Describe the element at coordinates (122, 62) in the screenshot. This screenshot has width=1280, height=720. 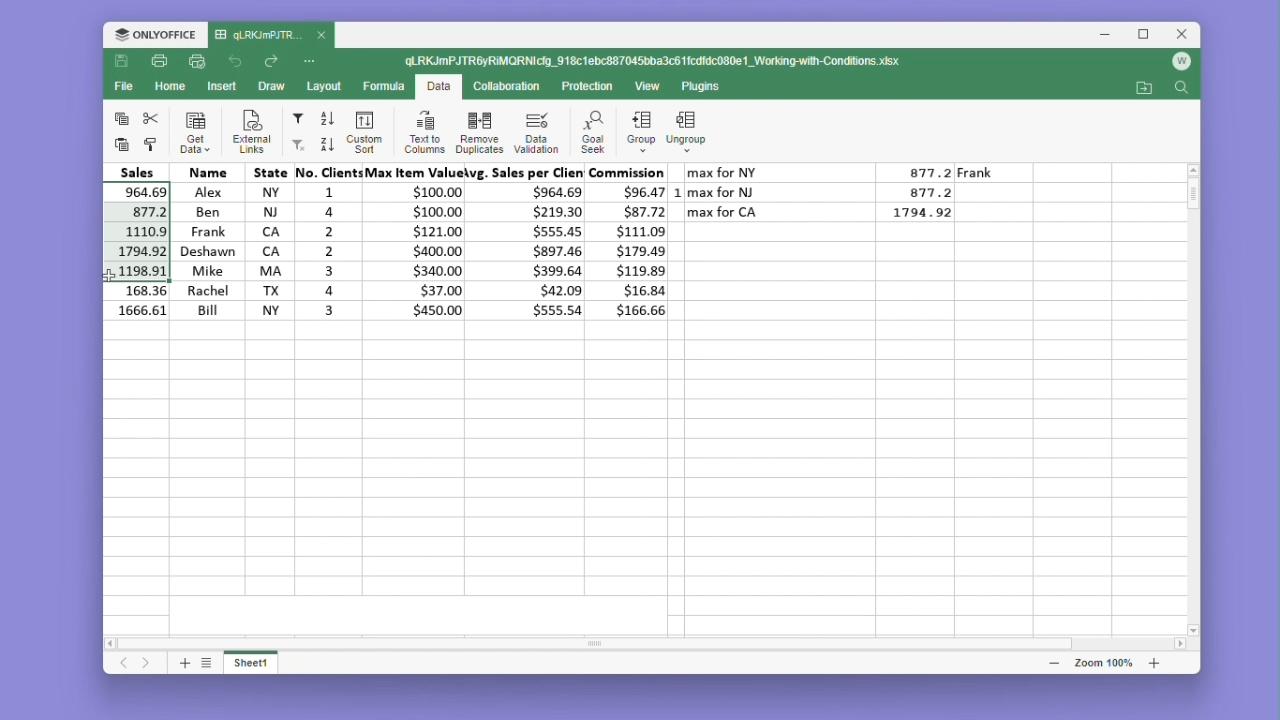
I see `Save` at that location.